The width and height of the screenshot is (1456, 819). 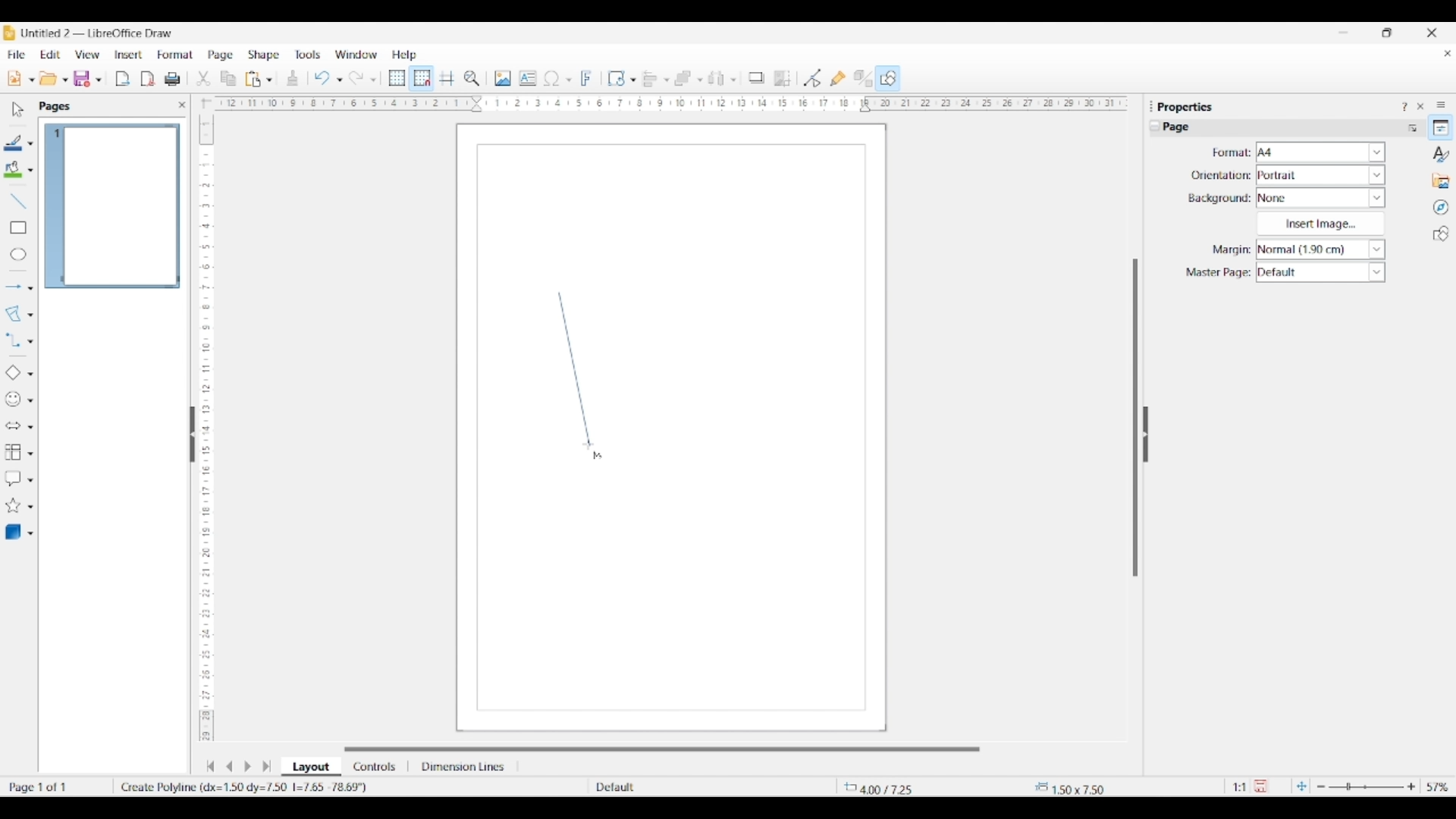 I want to click on Symbol shape options, so click(x=30, y=400).